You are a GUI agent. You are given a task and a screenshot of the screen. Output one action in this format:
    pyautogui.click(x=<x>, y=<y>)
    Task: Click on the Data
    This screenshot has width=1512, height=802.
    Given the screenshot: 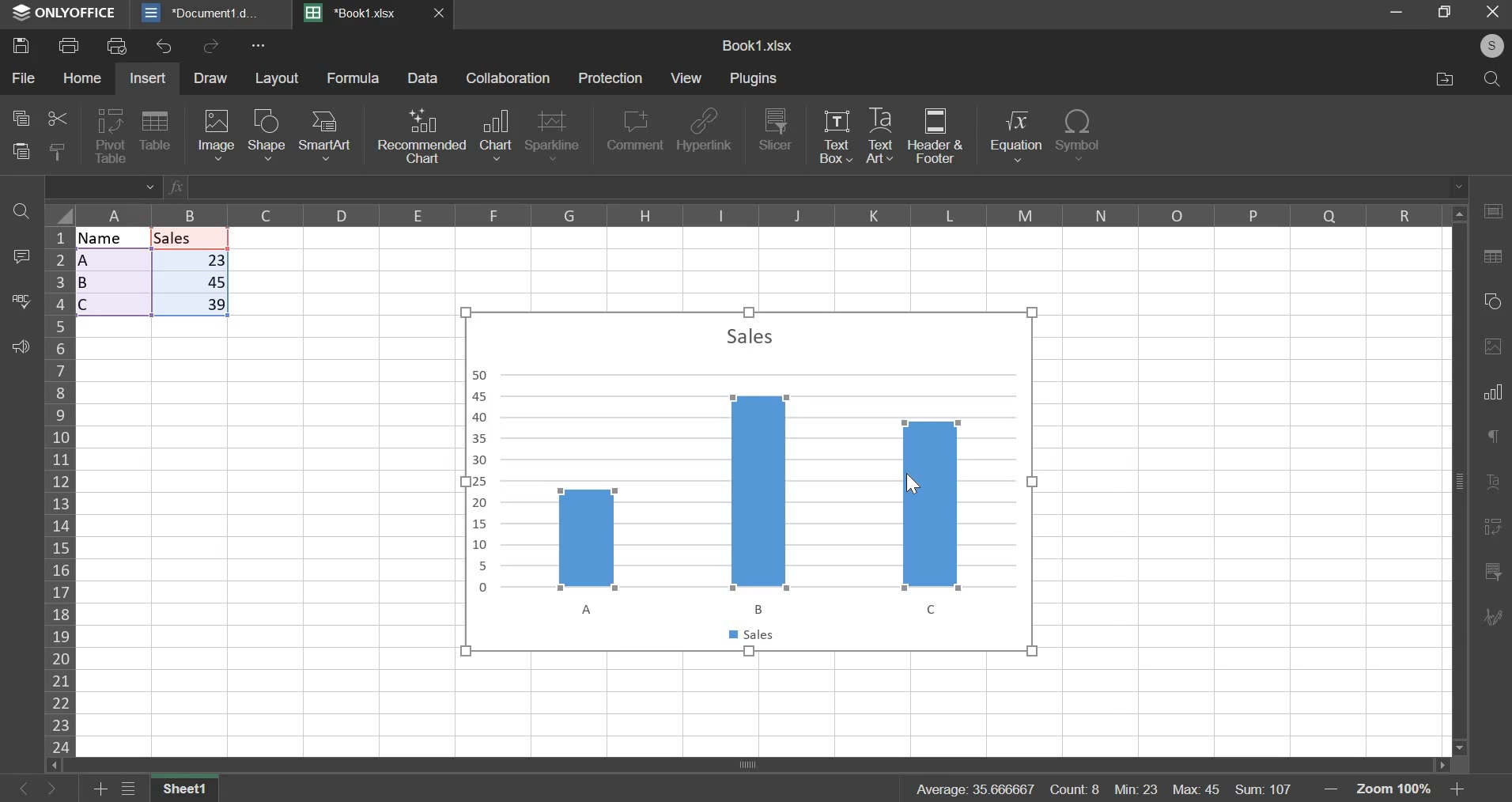 What is the action you would take?
    pyautogui.click(x=424, y=78)
    